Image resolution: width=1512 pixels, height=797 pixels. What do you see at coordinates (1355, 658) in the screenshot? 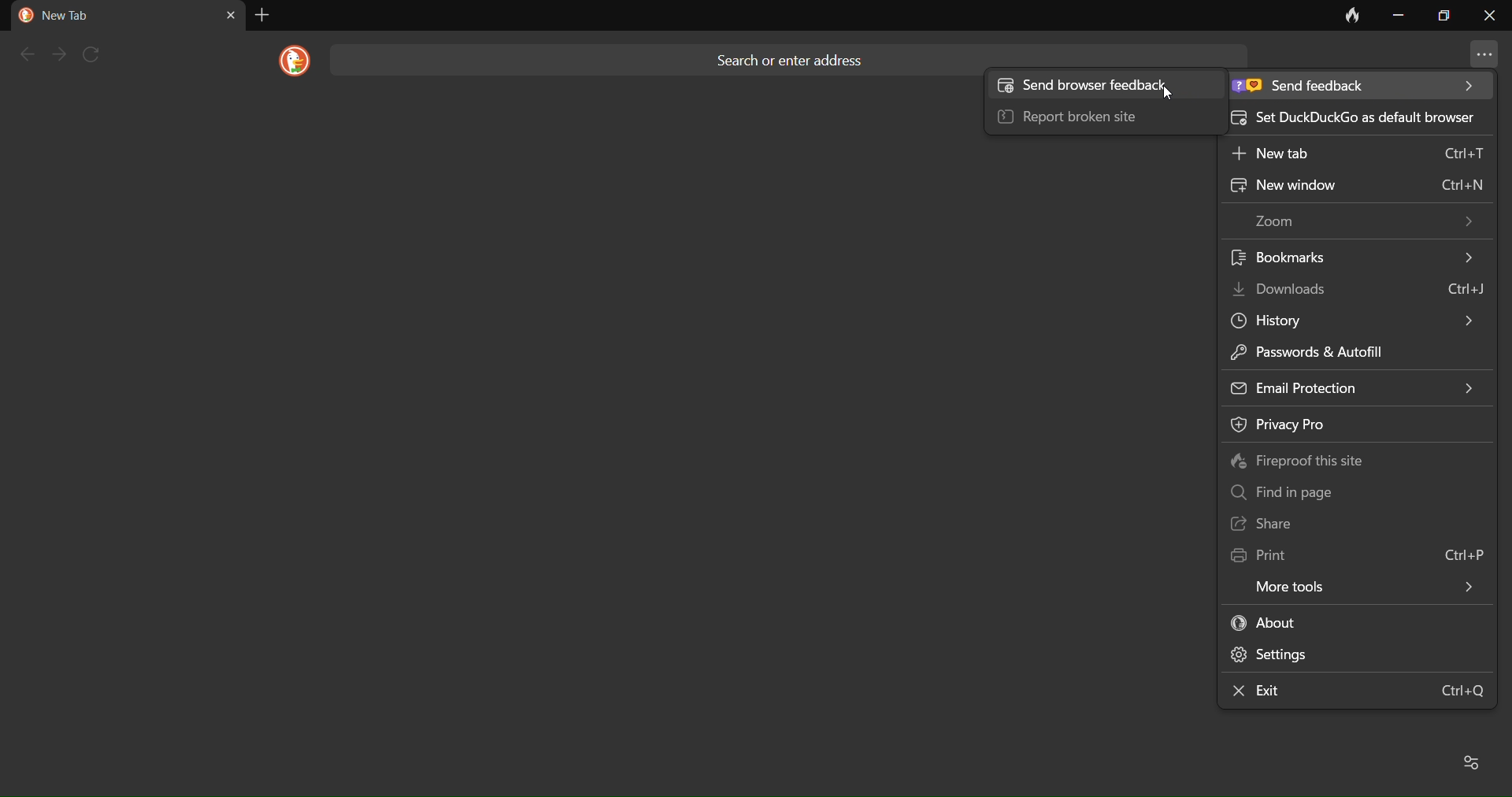
I see `settings` at bounding box center [1355, 658].